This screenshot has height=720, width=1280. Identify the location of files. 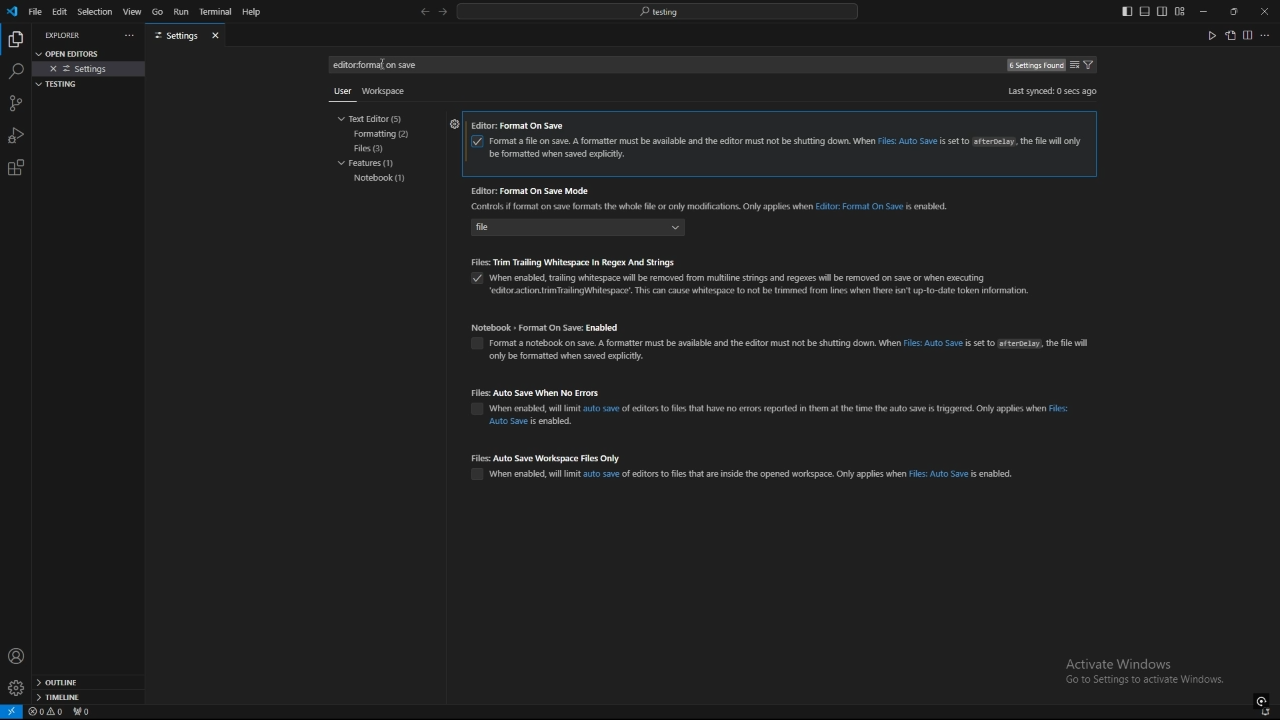
(380, 148).